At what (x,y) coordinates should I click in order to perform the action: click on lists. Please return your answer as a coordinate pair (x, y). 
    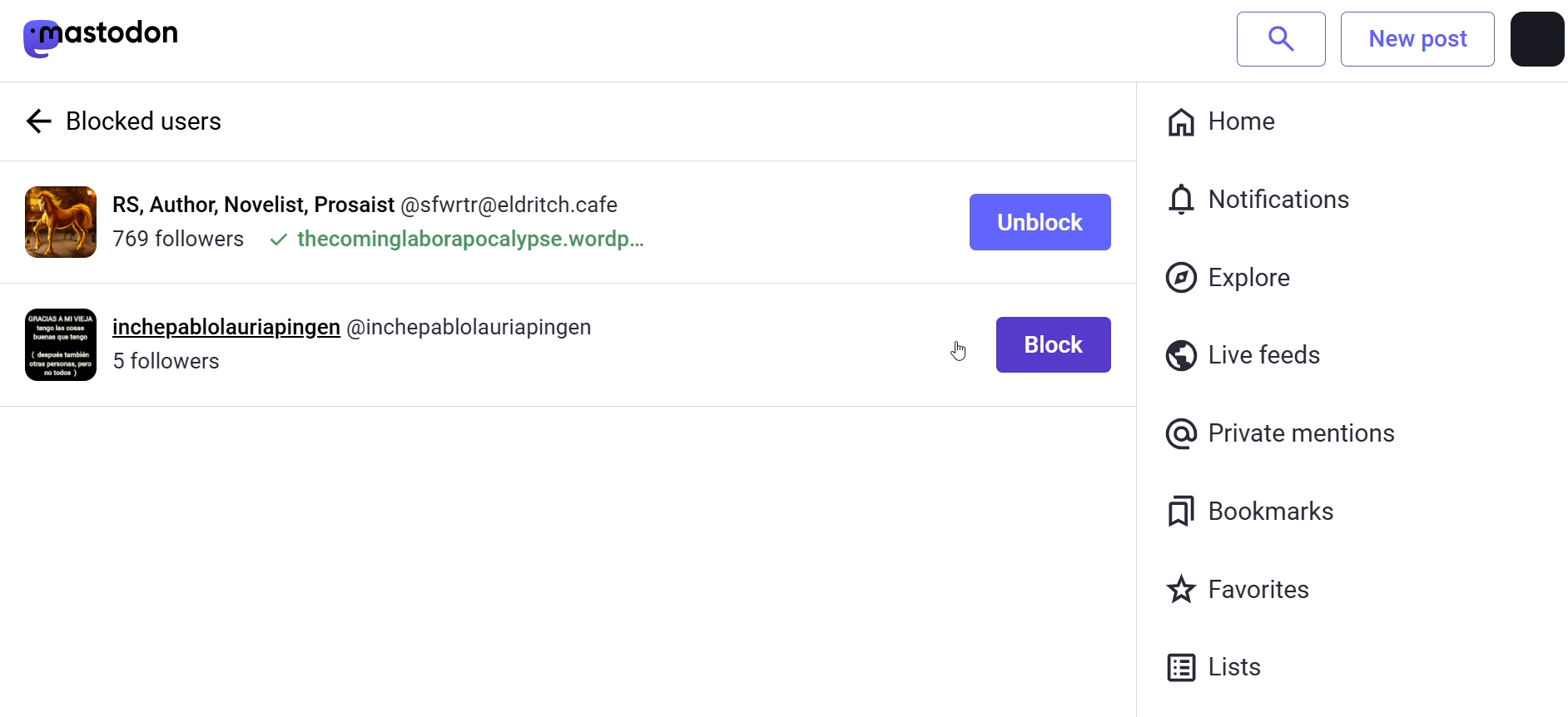
    Looking at the image, I should click on (1230, 672).